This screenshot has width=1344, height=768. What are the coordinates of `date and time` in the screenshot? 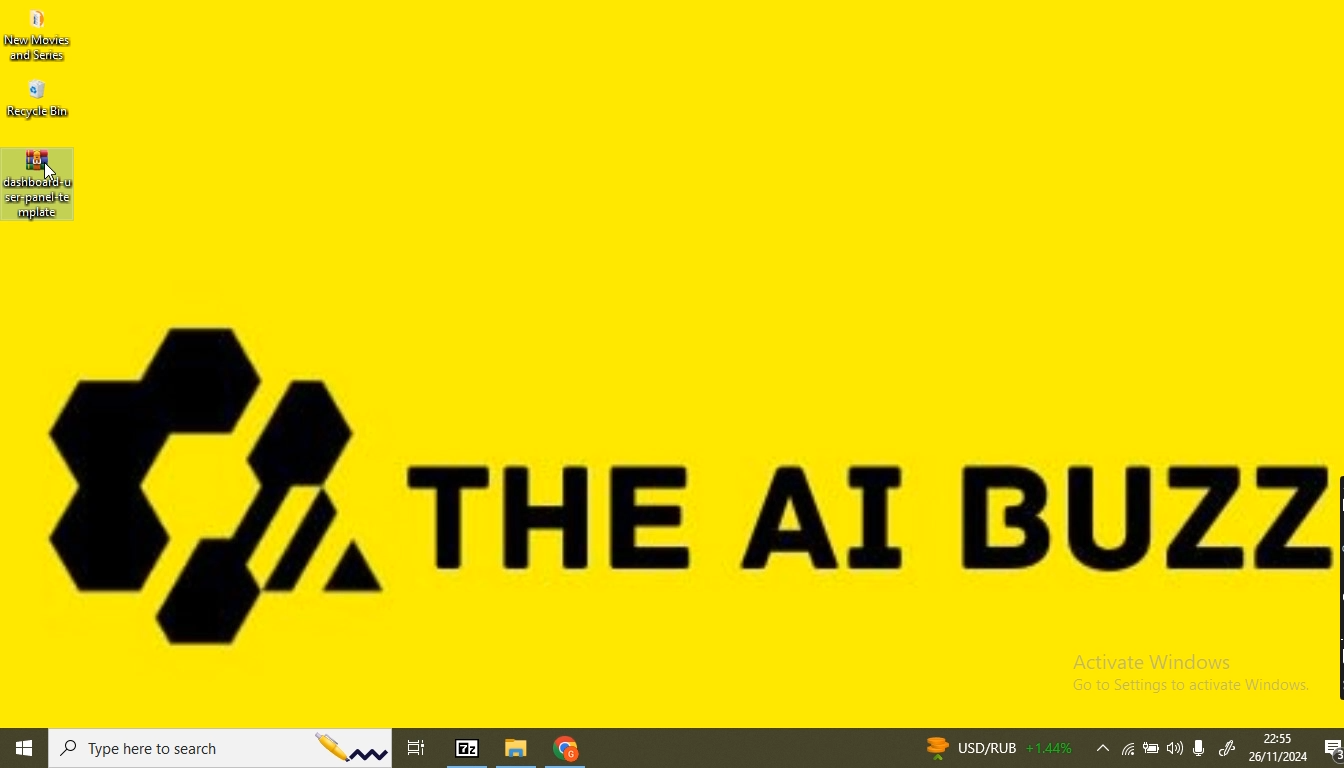 It's located at (1277, 748).